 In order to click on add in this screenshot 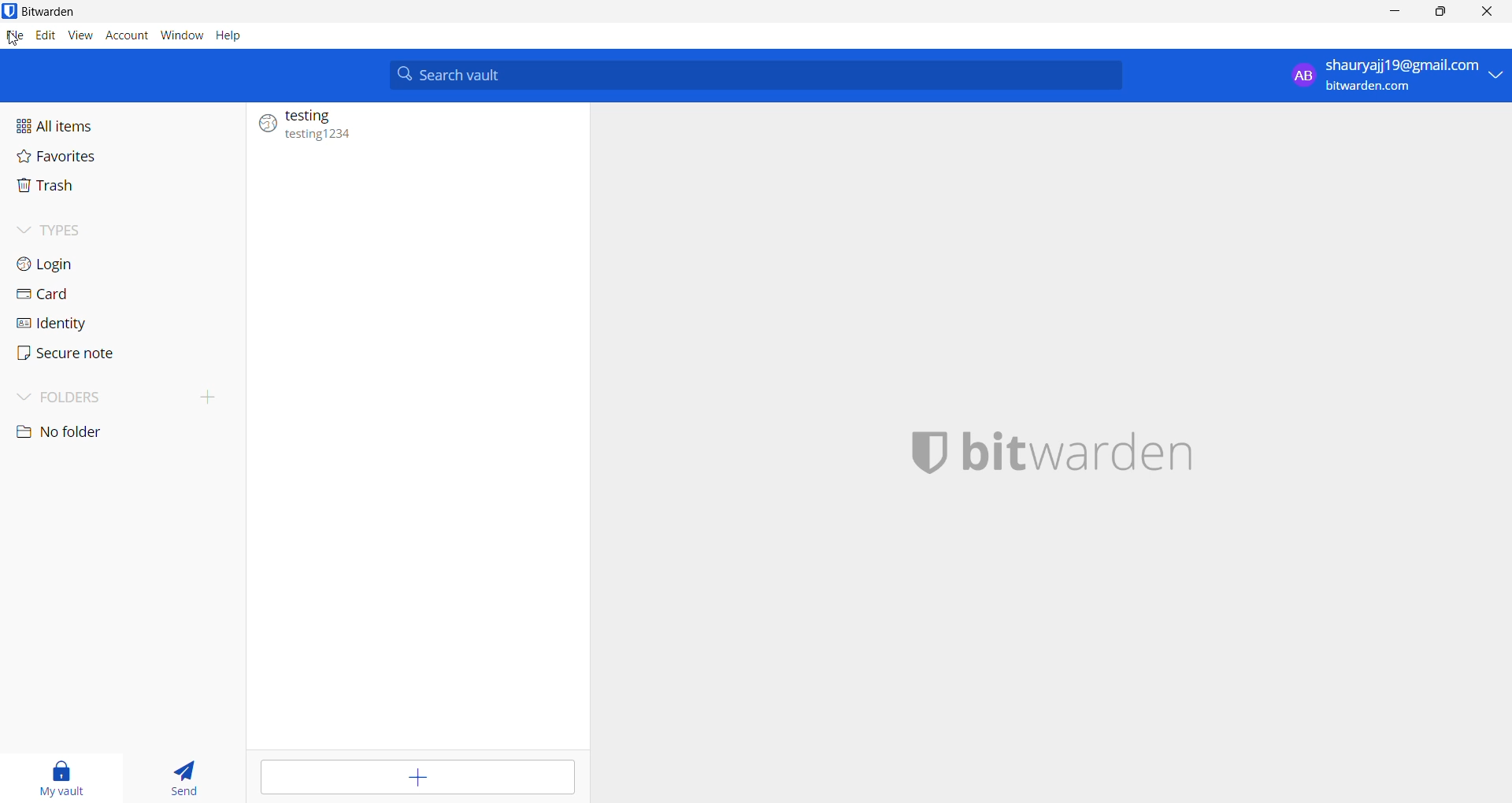, I will do `click(415, 778)`.